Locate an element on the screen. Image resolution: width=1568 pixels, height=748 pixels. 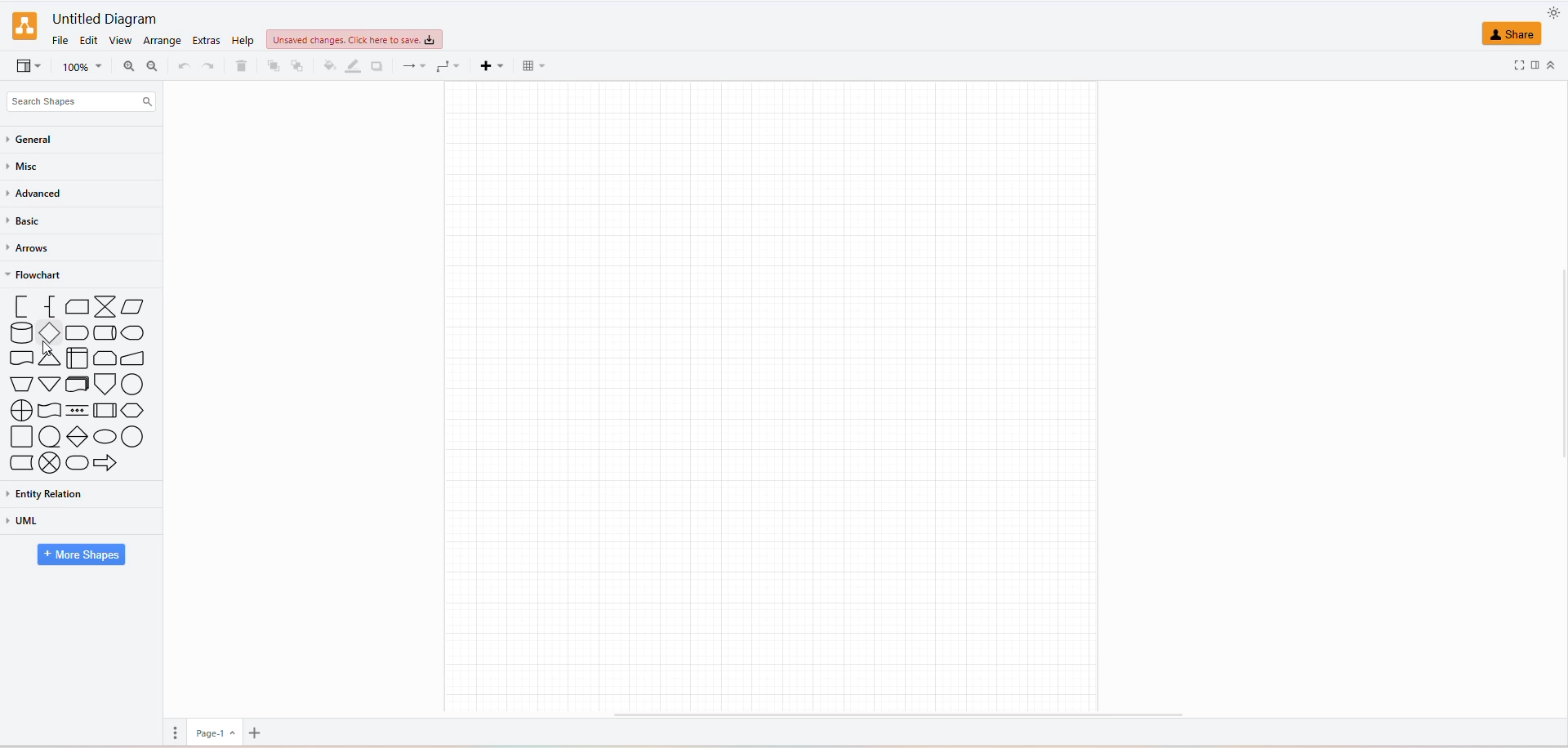
EDIT is located at coordinates (91, 39).